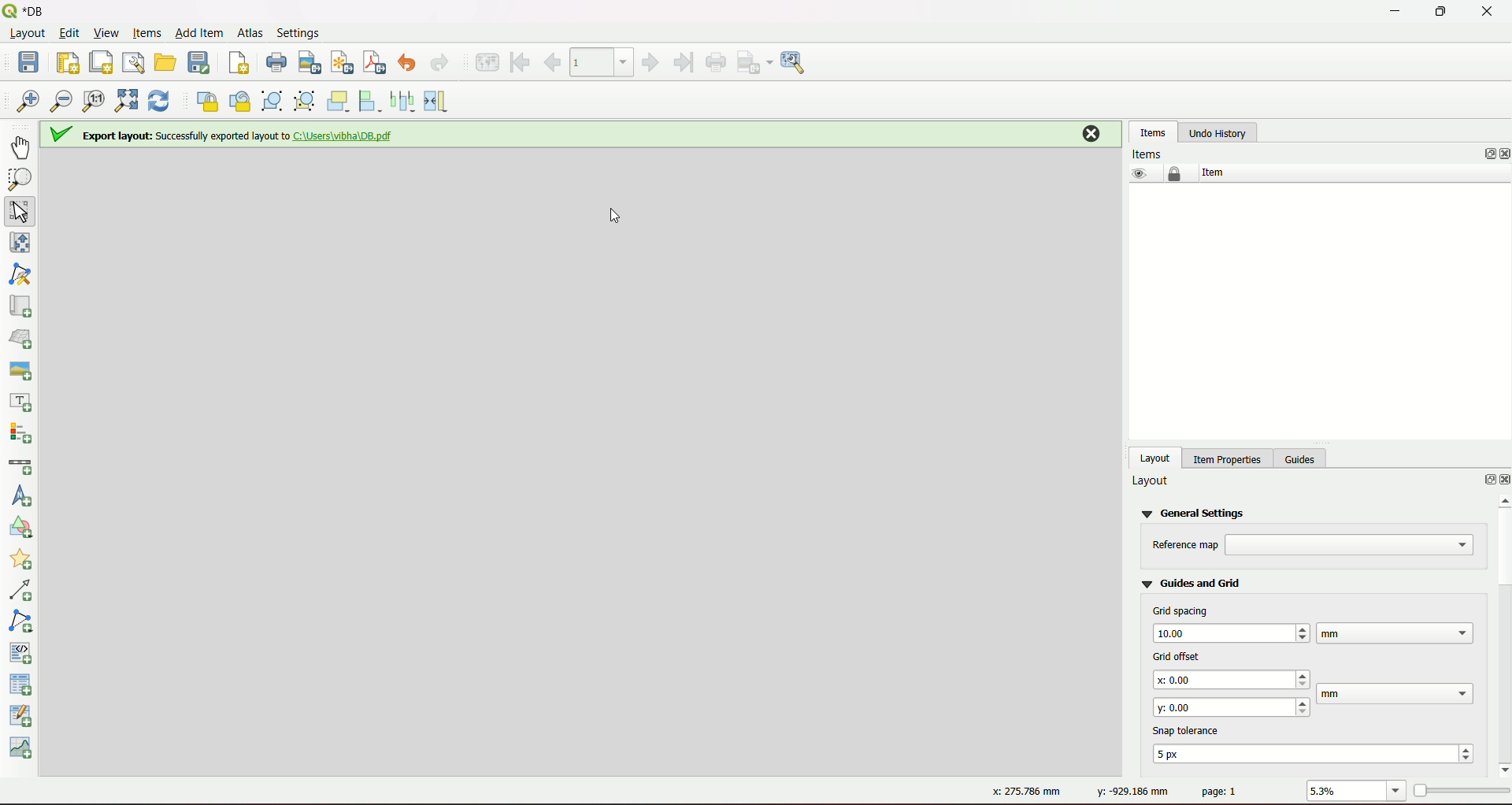 This screenshot has width=1512, height=805. I want to click on View, so click(107, 33).